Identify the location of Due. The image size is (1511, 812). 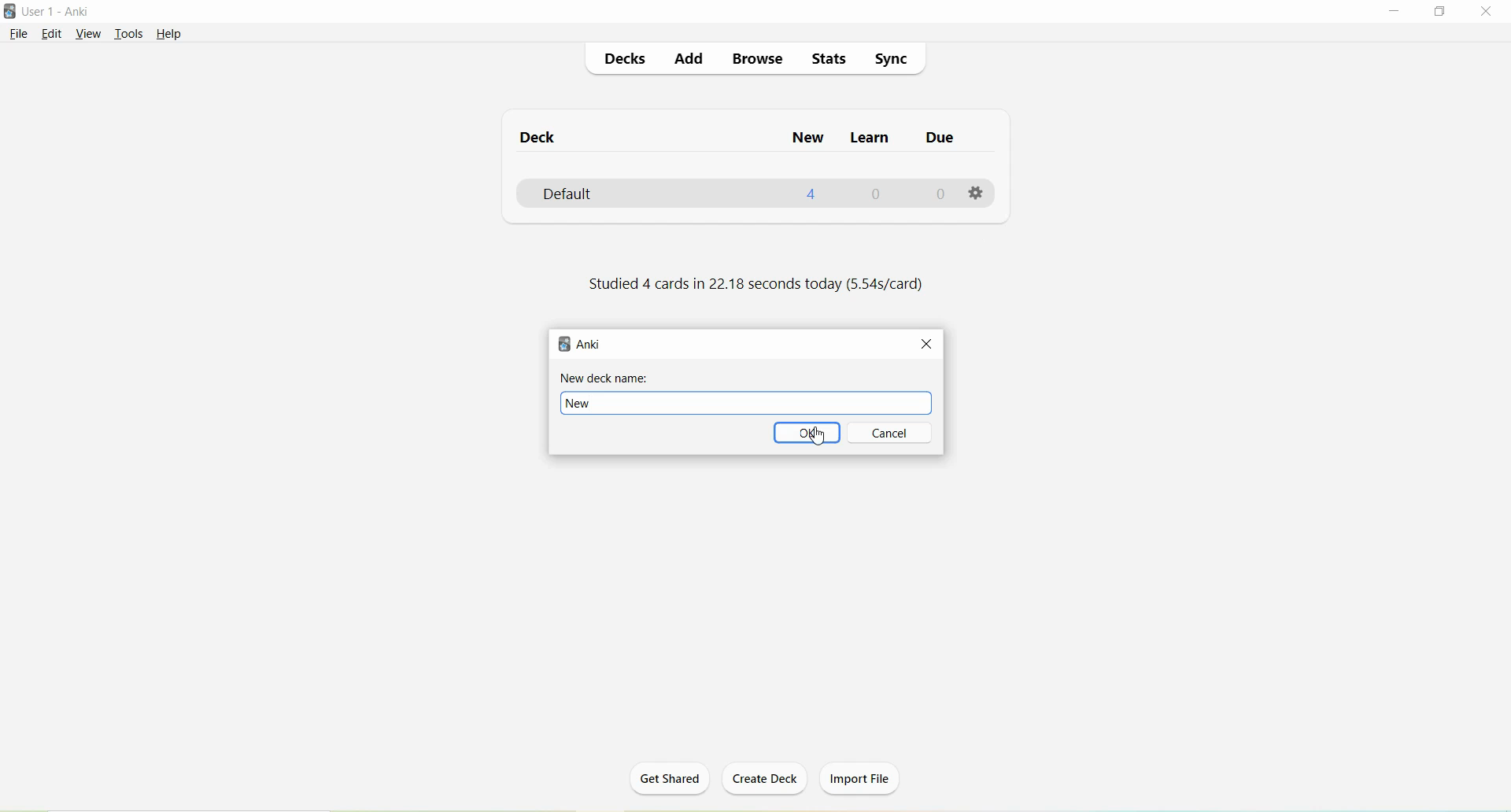
(937, 140).